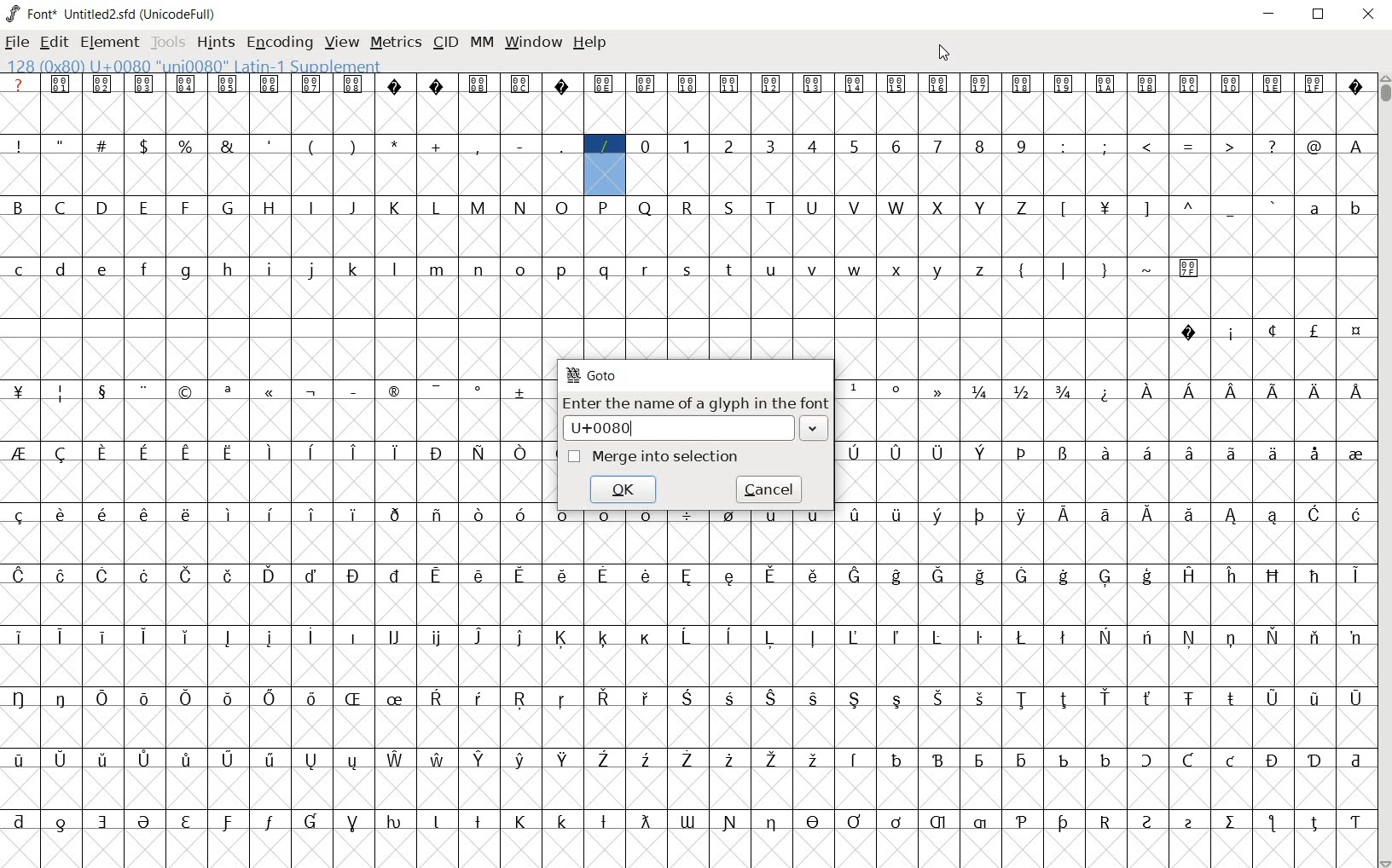 Image resolution: width=1392 pixels, height=868 pixels. I want to click on glyph, so click(143, 269).